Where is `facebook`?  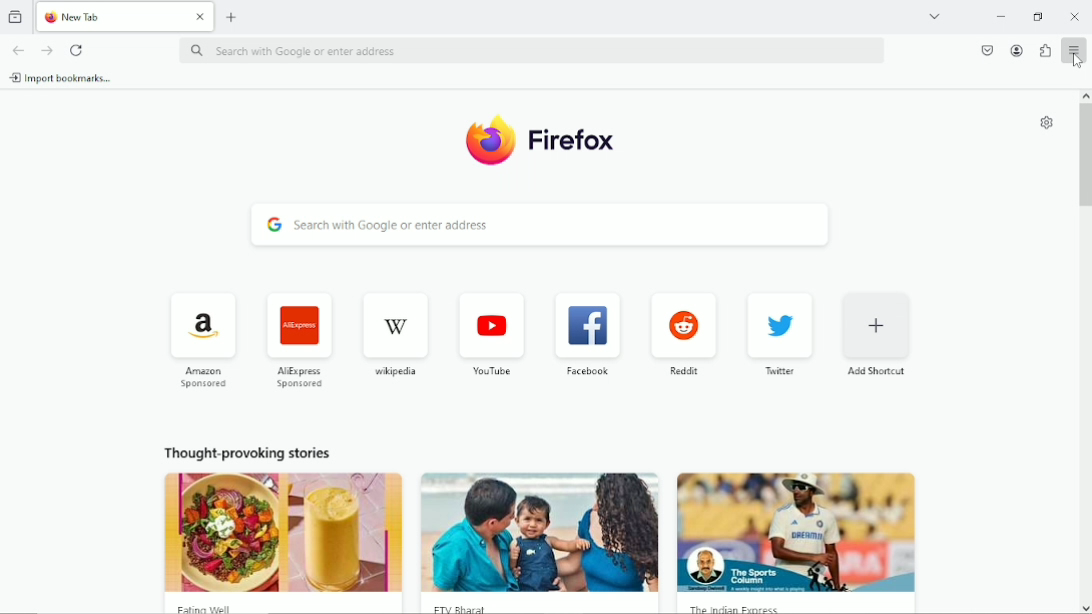 facebook is located at coordinates (586, 374).